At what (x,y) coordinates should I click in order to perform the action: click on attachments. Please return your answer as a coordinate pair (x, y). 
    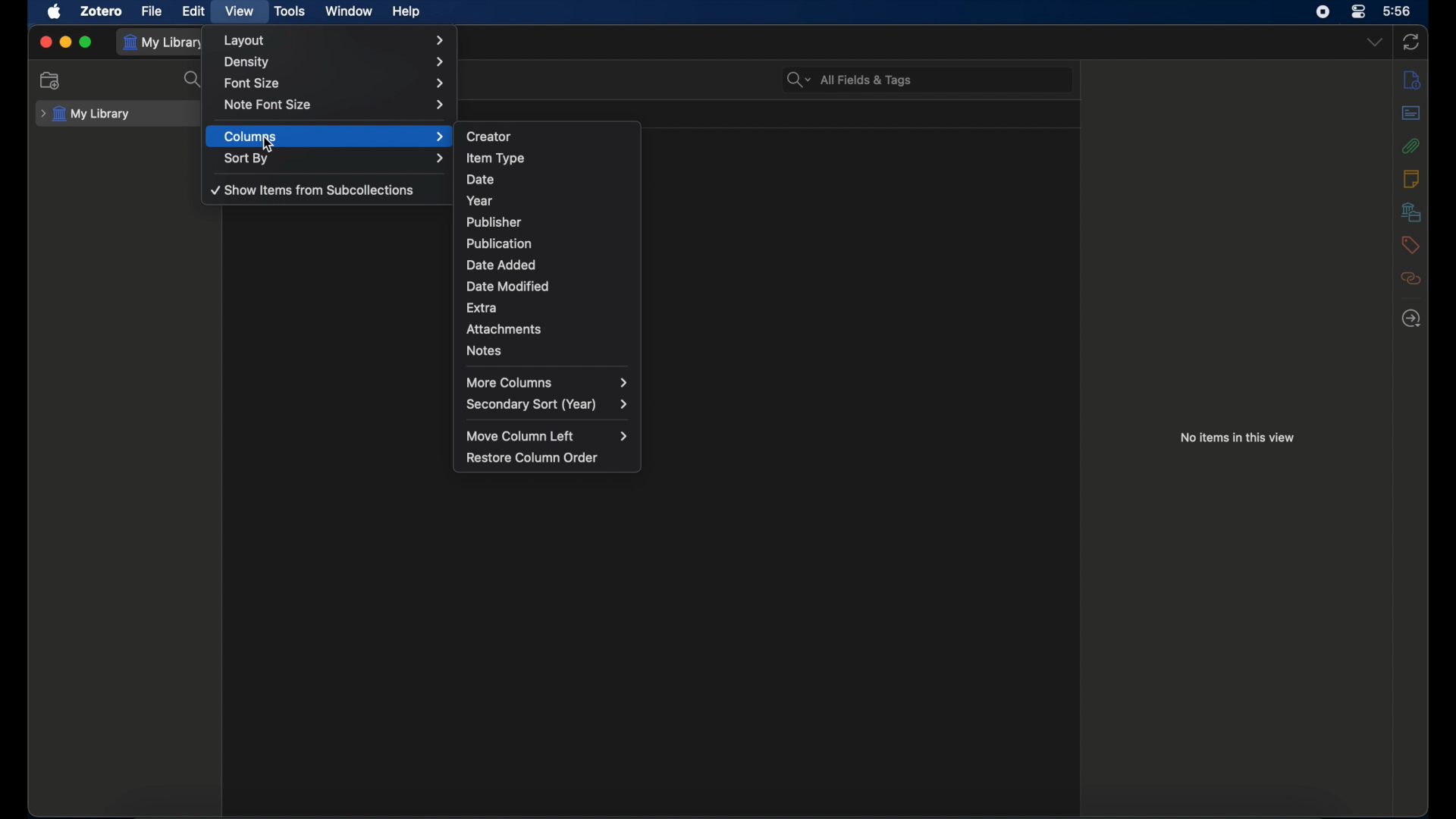
    Looking at the image, I should click on (1410, 146).